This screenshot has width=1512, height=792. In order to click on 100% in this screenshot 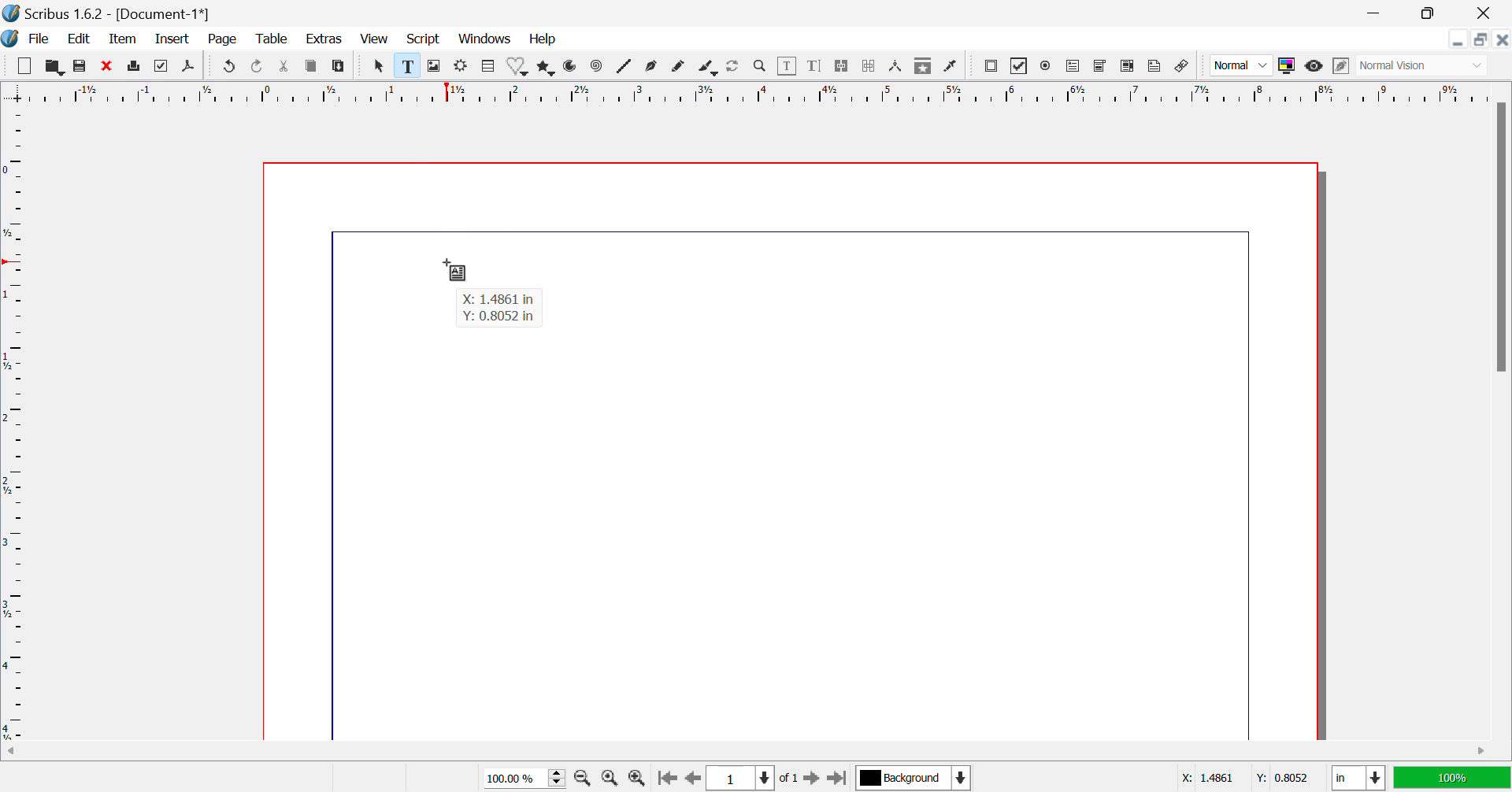, I will do `click(1451, 778)`.